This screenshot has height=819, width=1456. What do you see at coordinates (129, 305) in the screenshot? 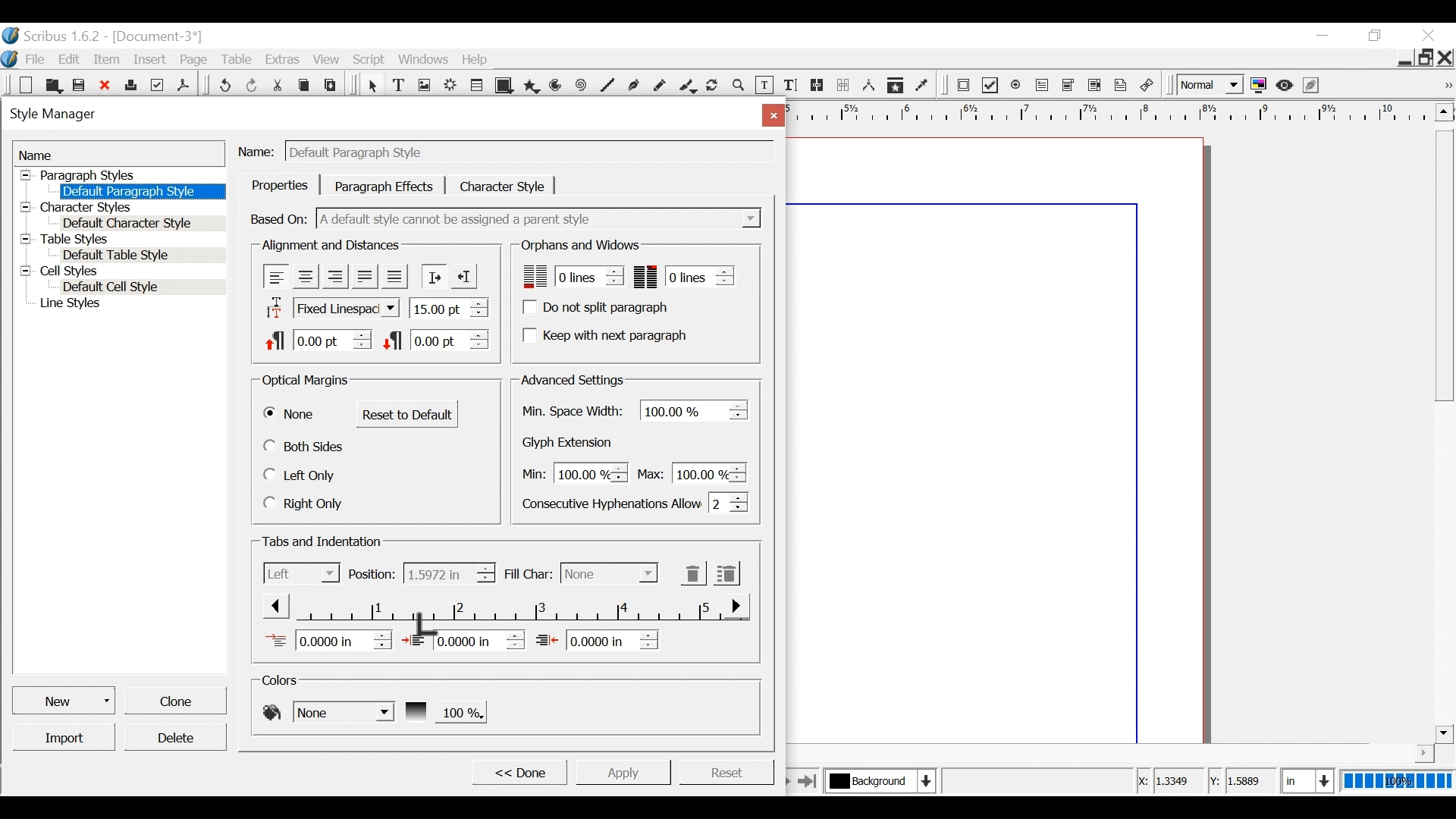
I see `line Styles` at bounding box center [129, 305].